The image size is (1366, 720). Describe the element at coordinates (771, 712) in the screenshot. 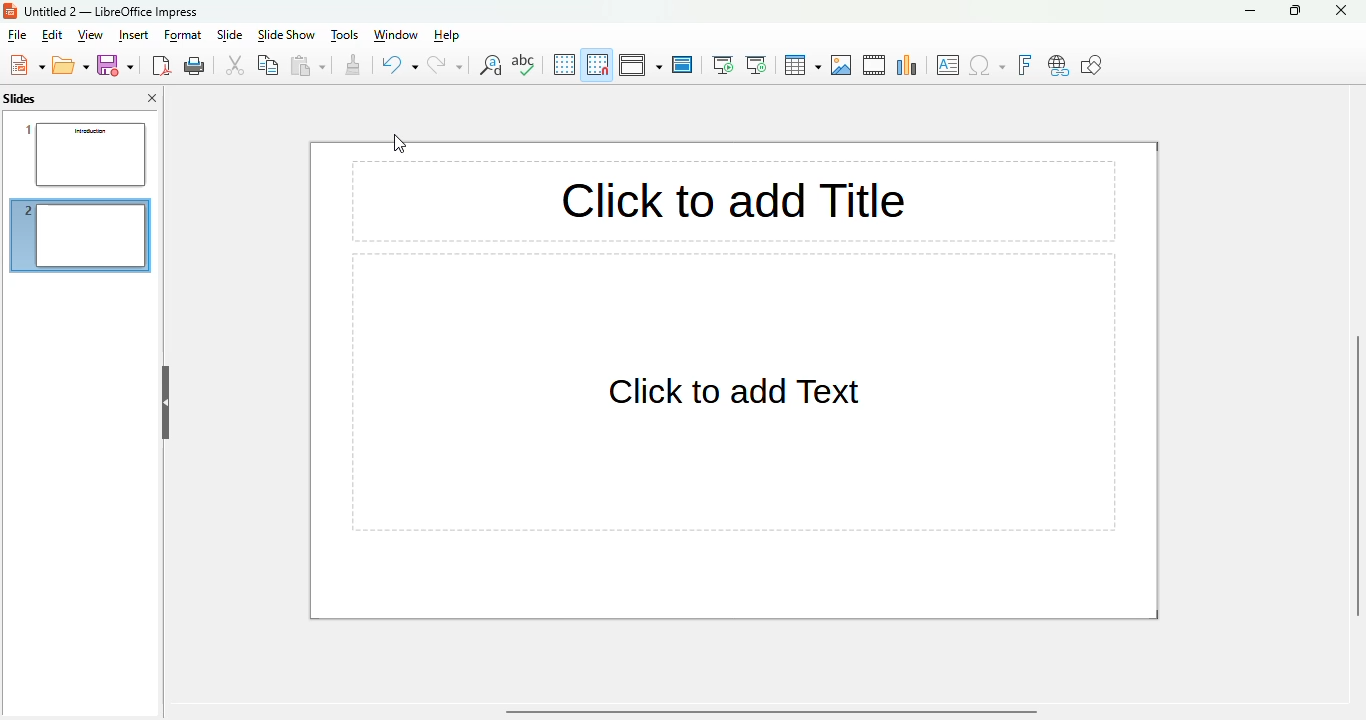

I see `horizontal scroll bar` at that location.